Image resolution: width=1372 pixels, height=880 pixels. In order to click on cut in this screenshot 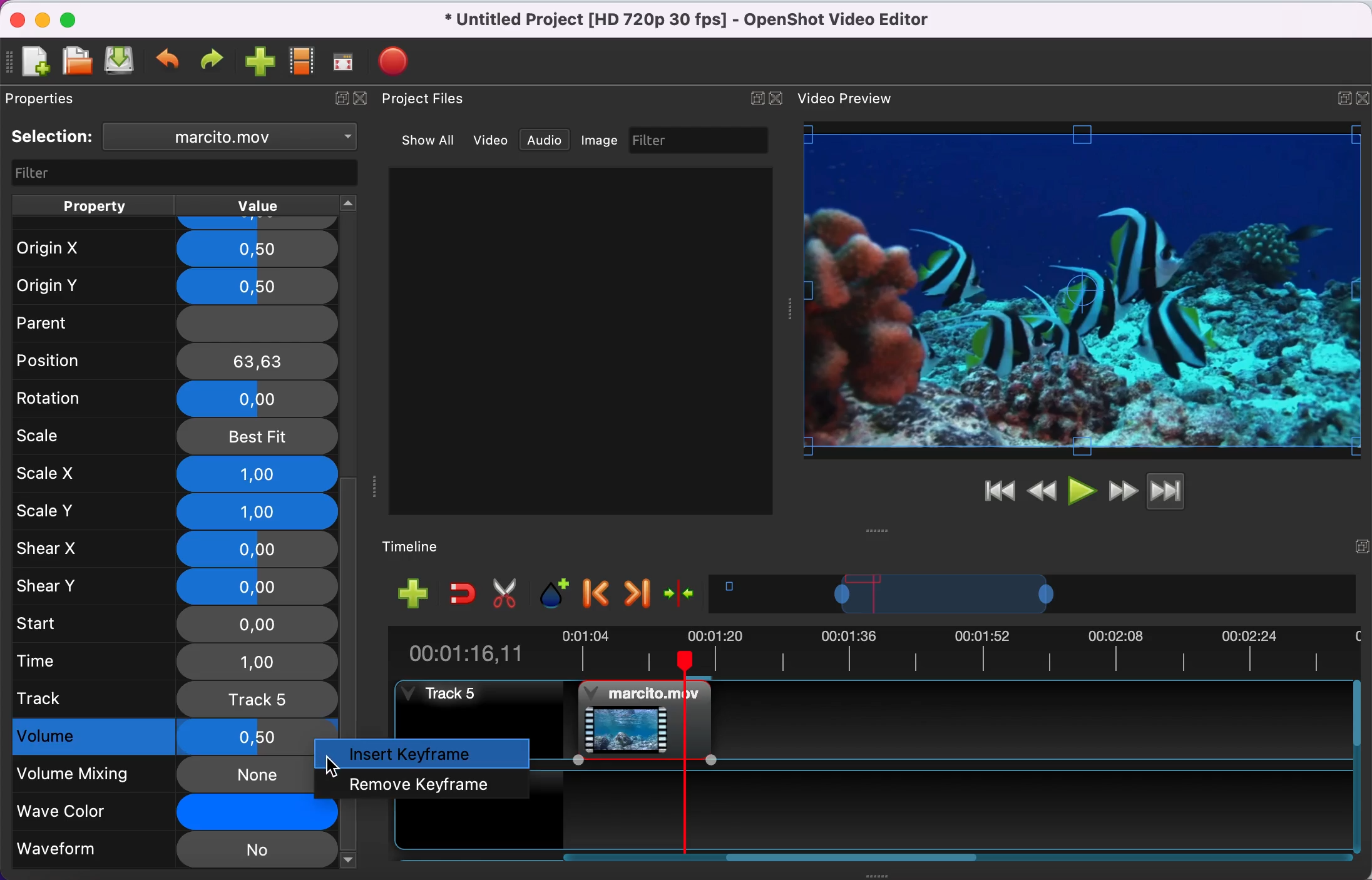, I will do `click(509, 595)`.